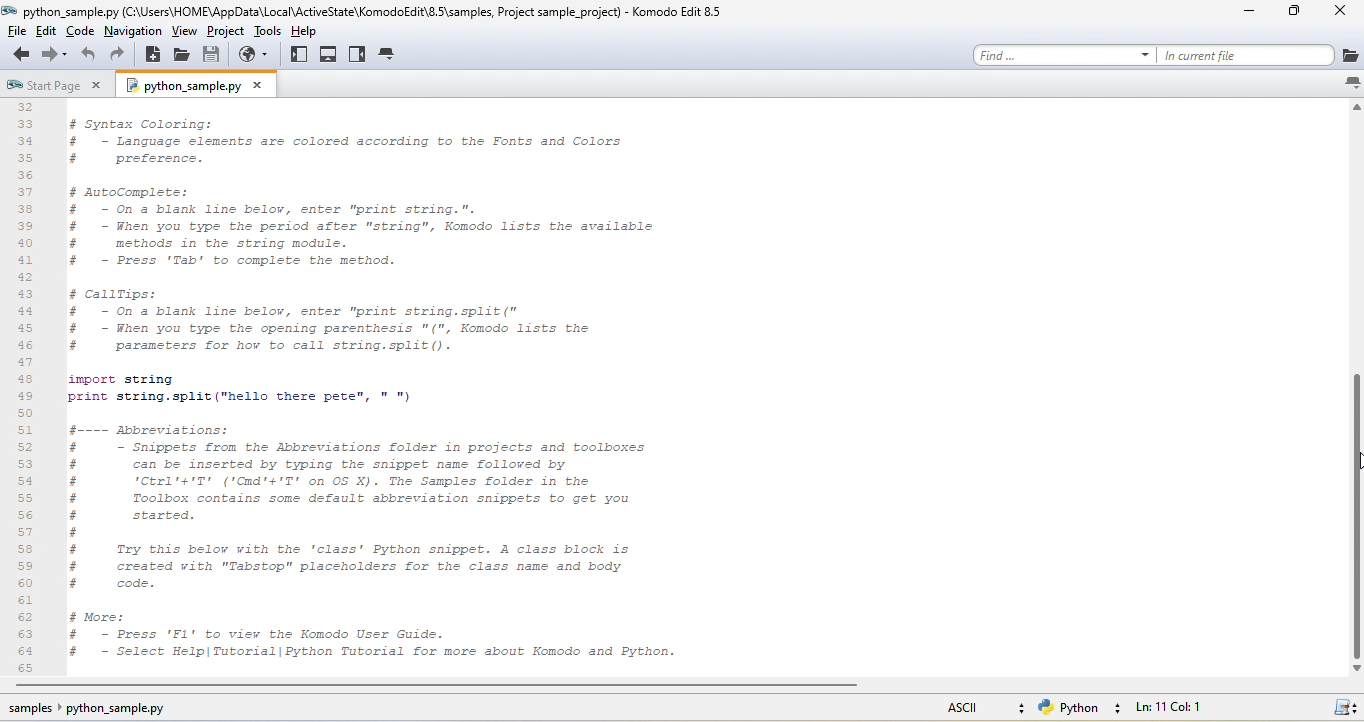  What do you see at coordinates (1288, 14) in the screenshot?
I see `maximize` at bounding box center [1288, 14].